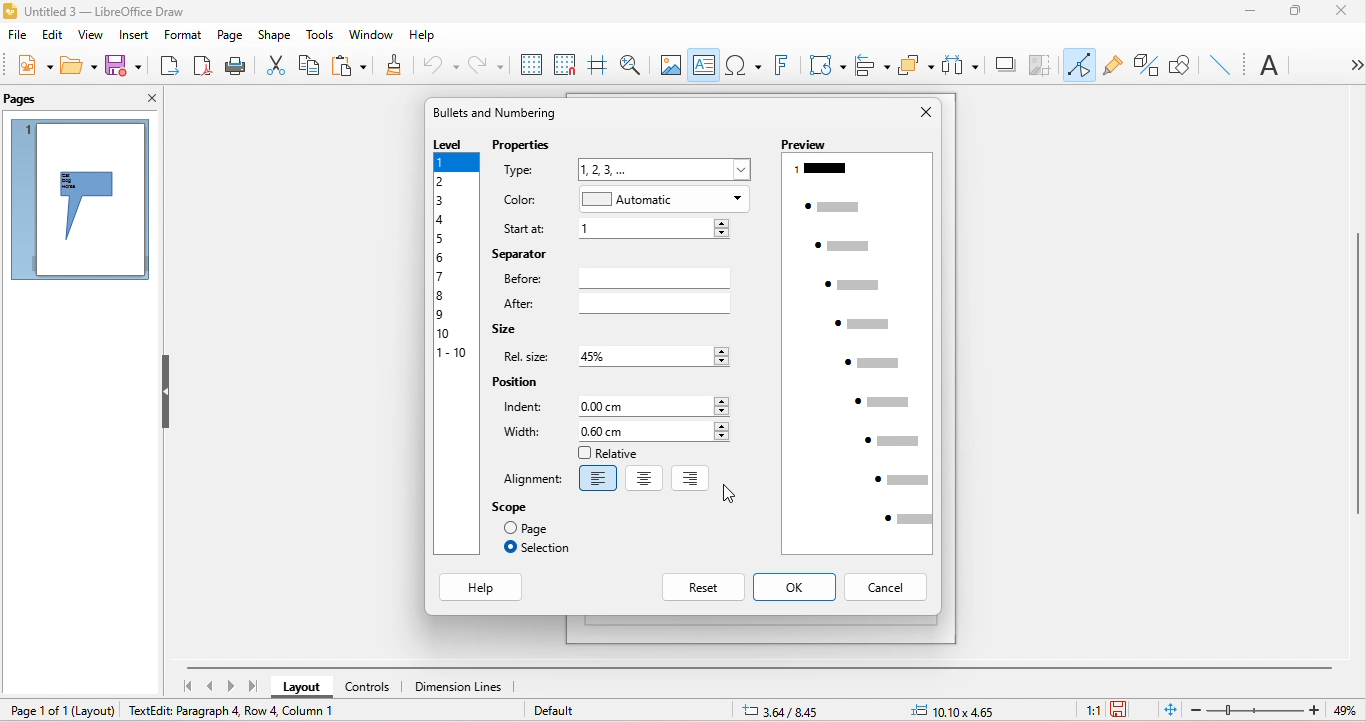 The height and width of the screenshot is (722, 1366). What do you see at coordinates (853, 346) in the screenshot?
I see `preview` at bounding box center [853, 346].